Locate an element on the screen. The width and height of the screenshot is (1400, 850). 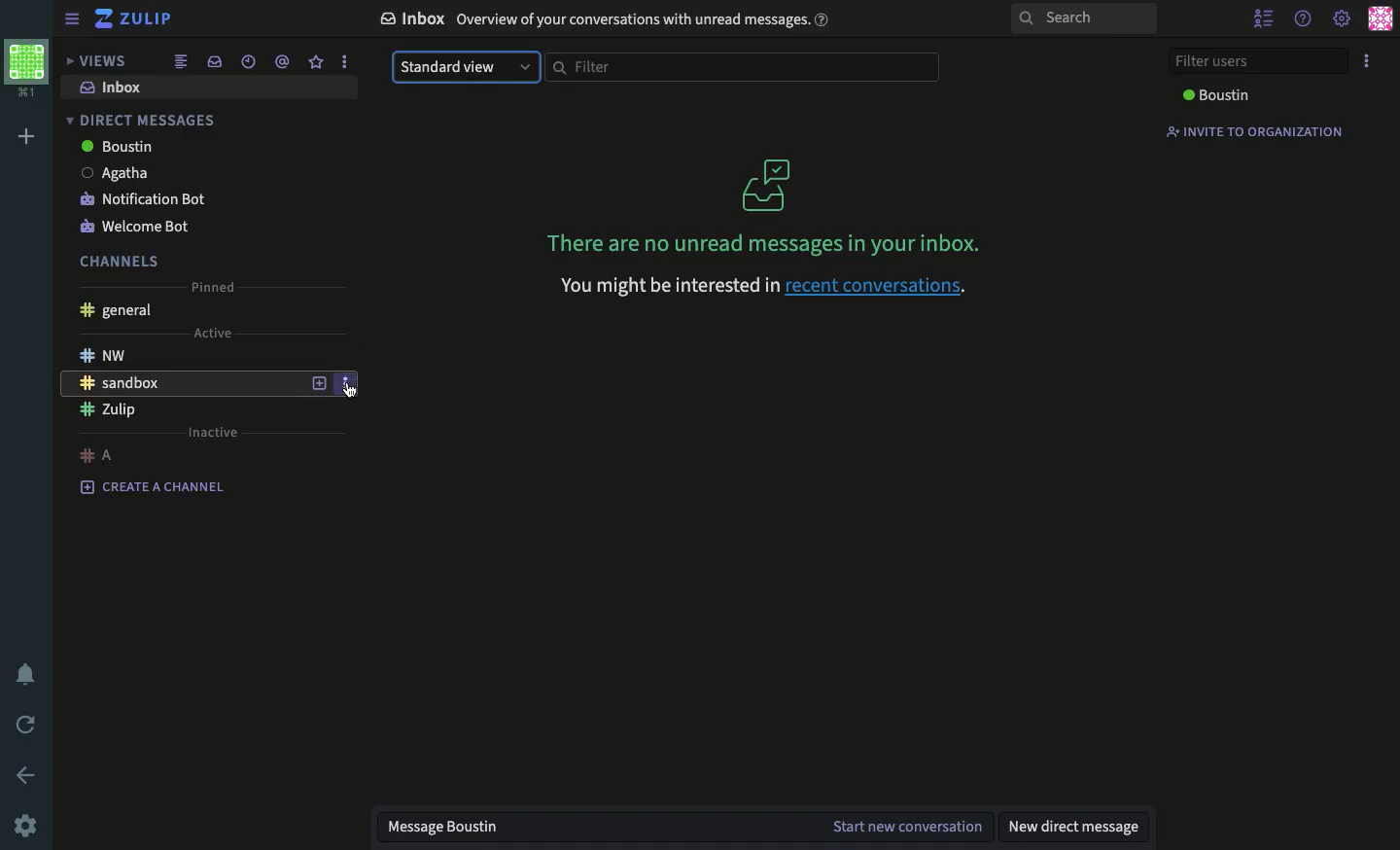
settings is located at coordinates (1341, 18).